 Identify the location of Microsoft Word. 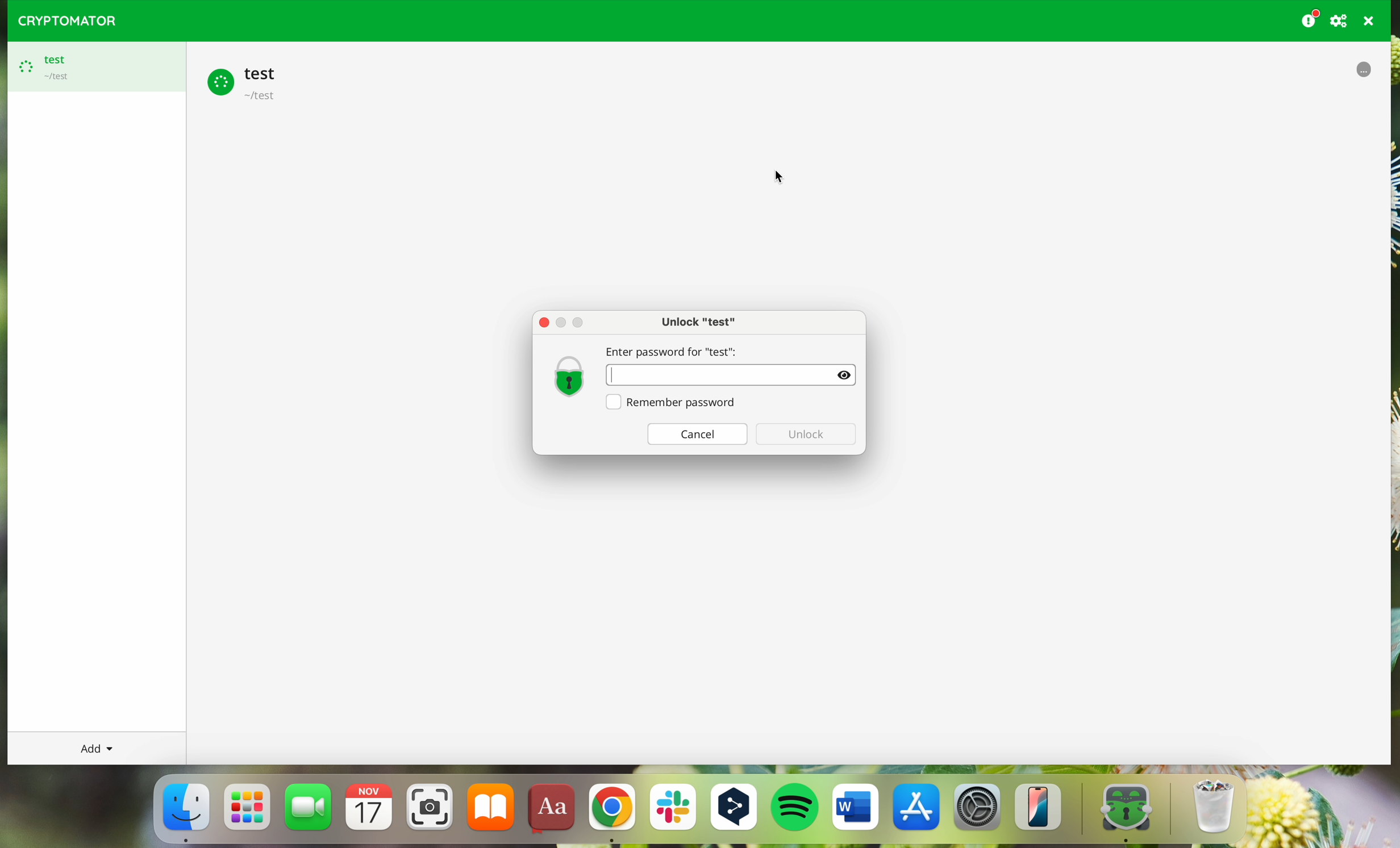
(856, 811).